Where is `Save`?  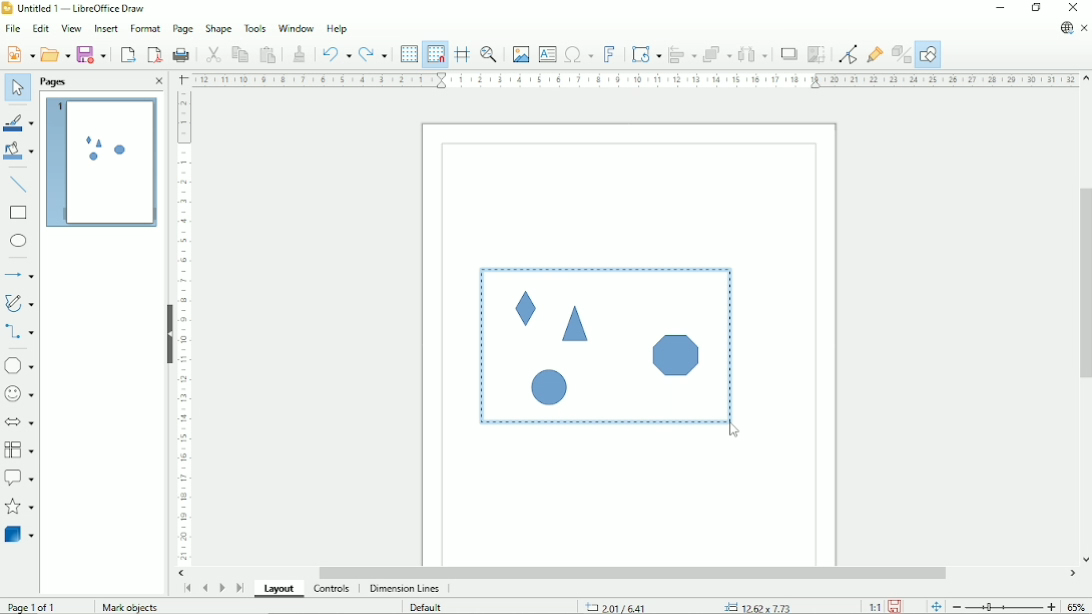
Save is located at coordinates (92, 54).